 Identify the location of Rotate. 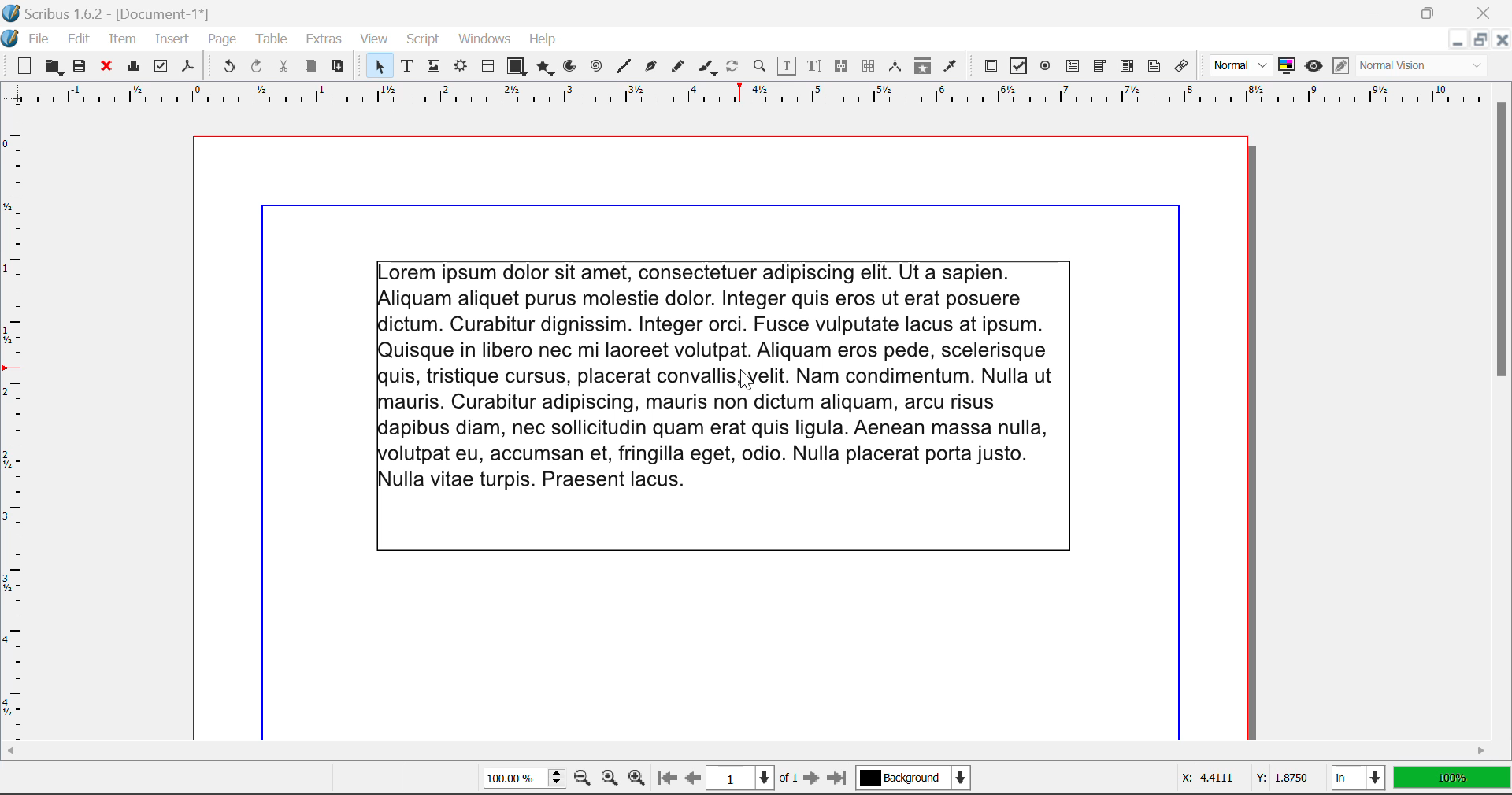
(733, 66).